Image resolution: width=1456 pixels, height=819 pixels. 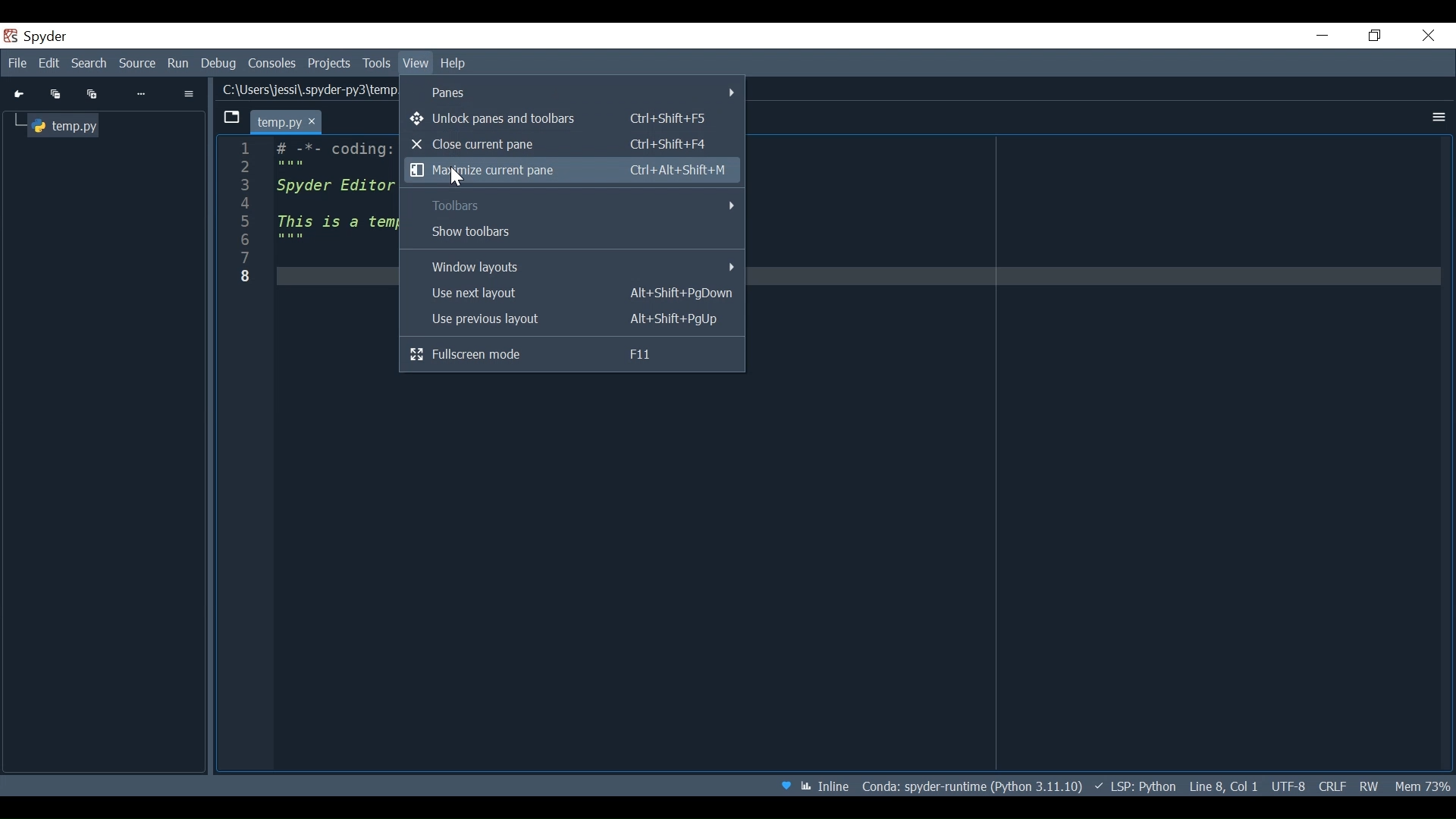 I want to click on temp.py, so click(x=66, y=124).